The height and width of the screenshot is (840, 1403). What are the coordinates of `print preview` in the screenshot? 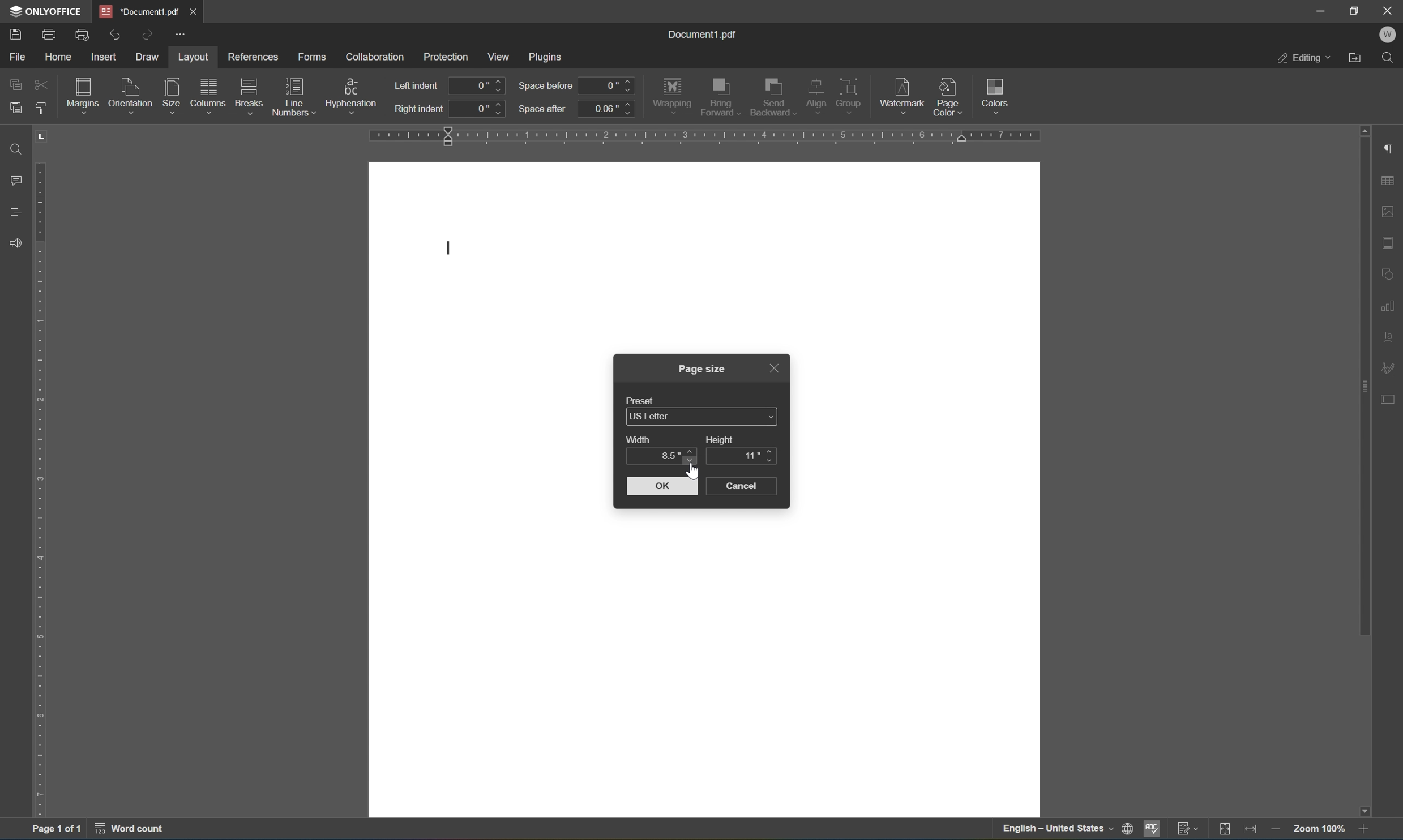 It's located at (83, 33).